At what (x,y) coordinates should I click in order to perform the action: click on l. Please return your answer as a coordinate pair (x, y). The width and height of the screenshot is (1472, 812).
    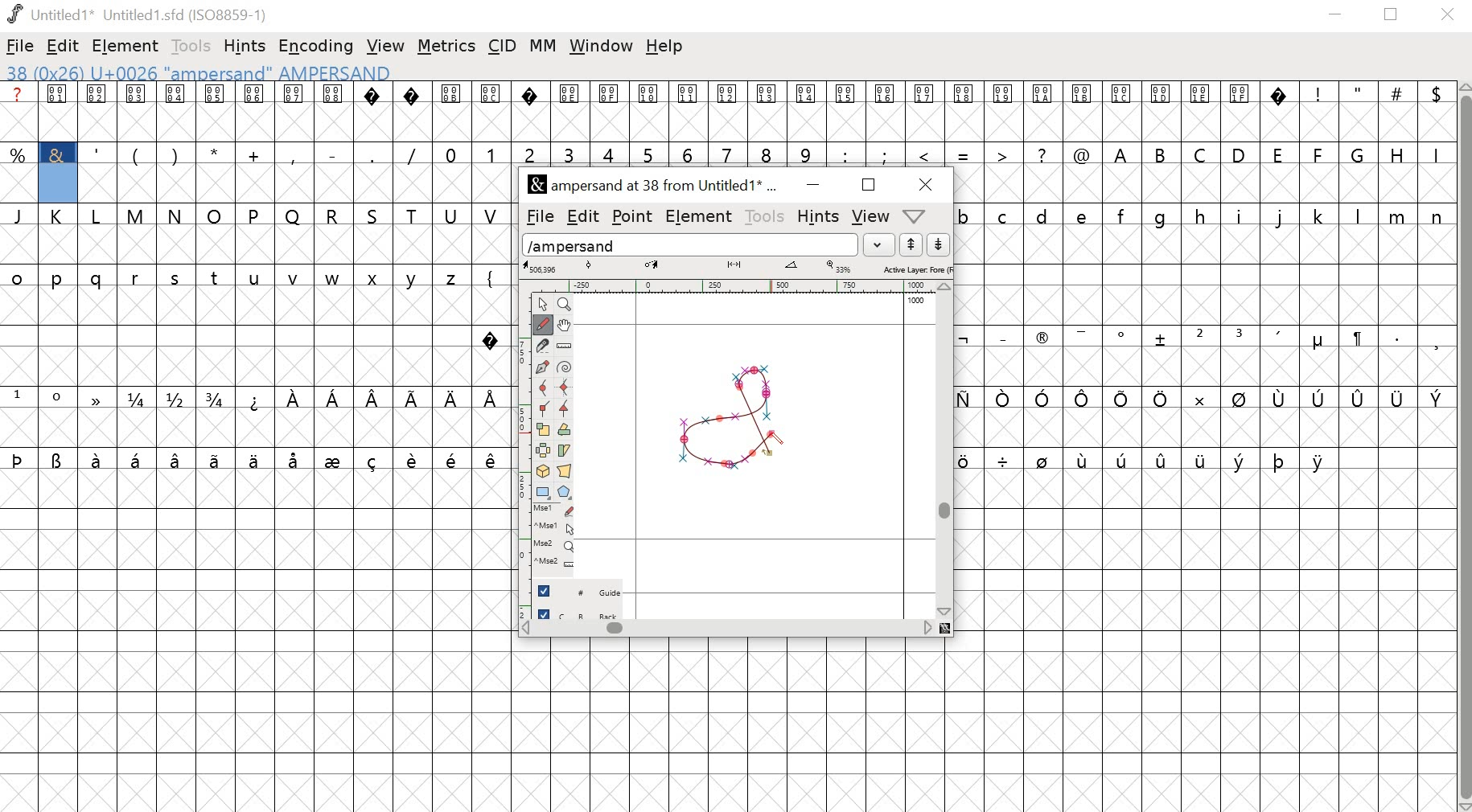
    Looking at the image, I should click on (1359, 215).